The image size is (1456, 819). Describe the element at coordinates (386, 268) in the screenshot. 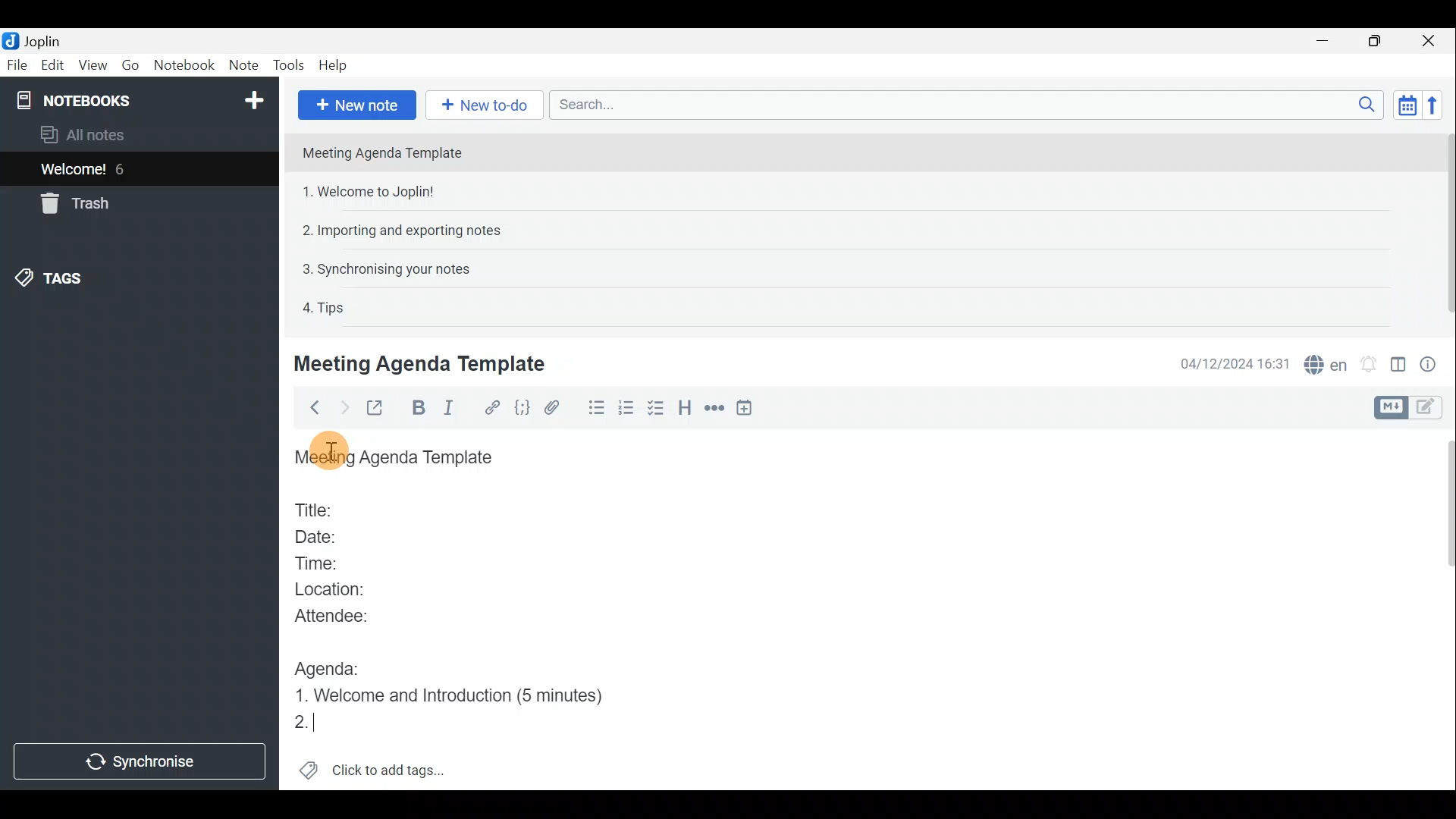

I see `3. Synchronising your notes` at that location.